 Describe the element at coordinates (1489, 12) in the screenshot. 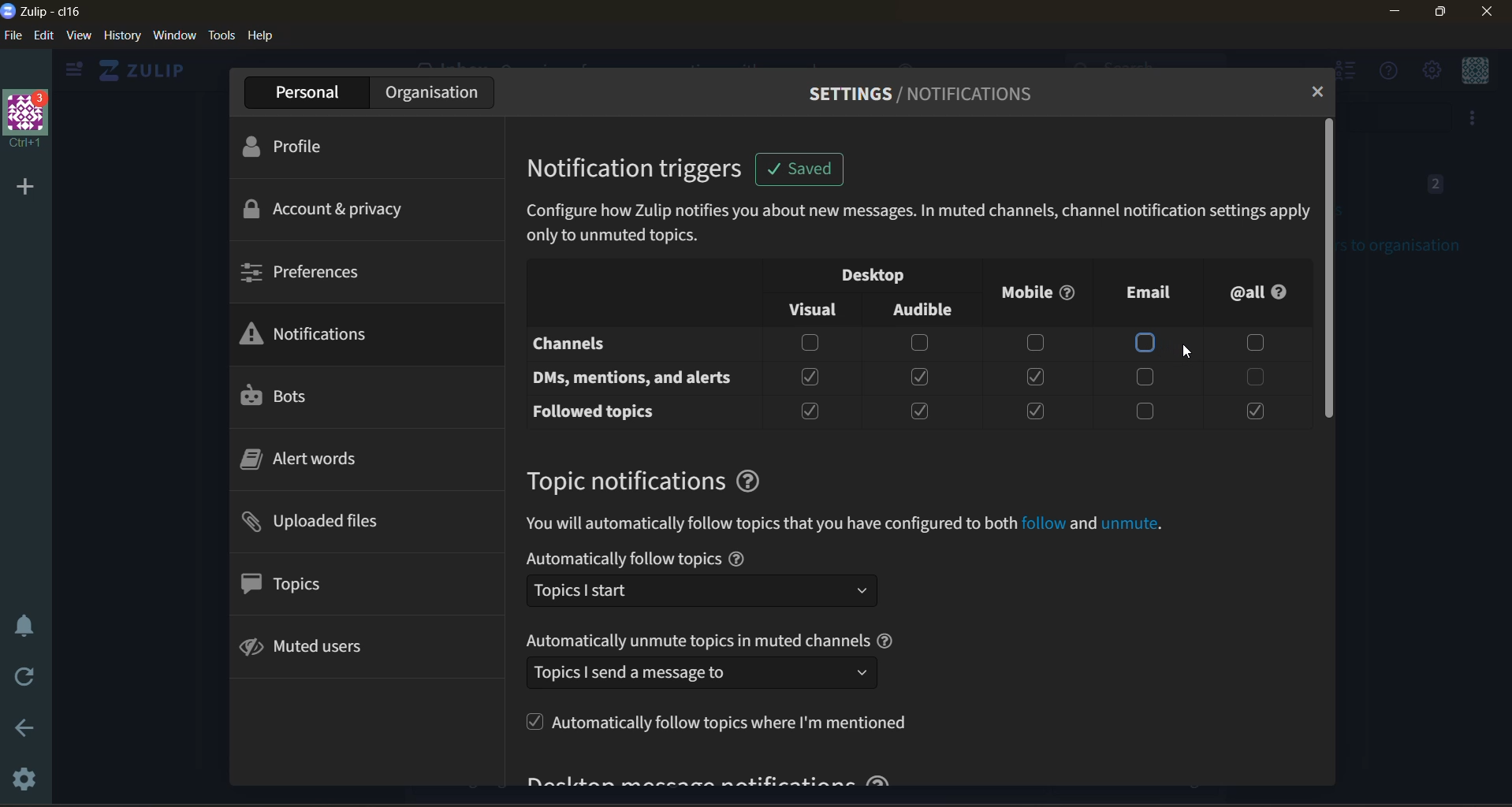

I see `close` at that location.